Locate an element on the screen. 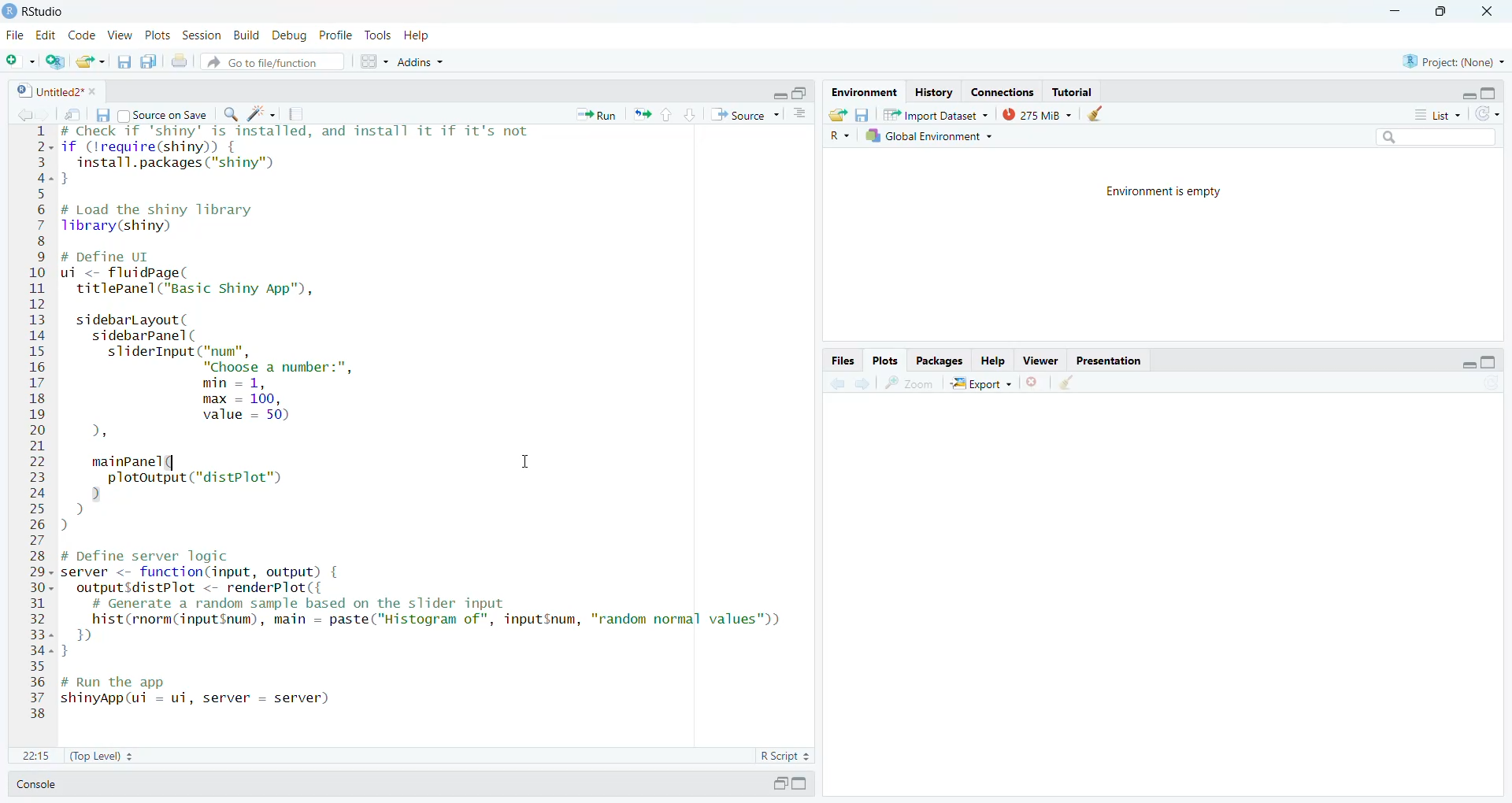  save is located at coordinates (102, 115).